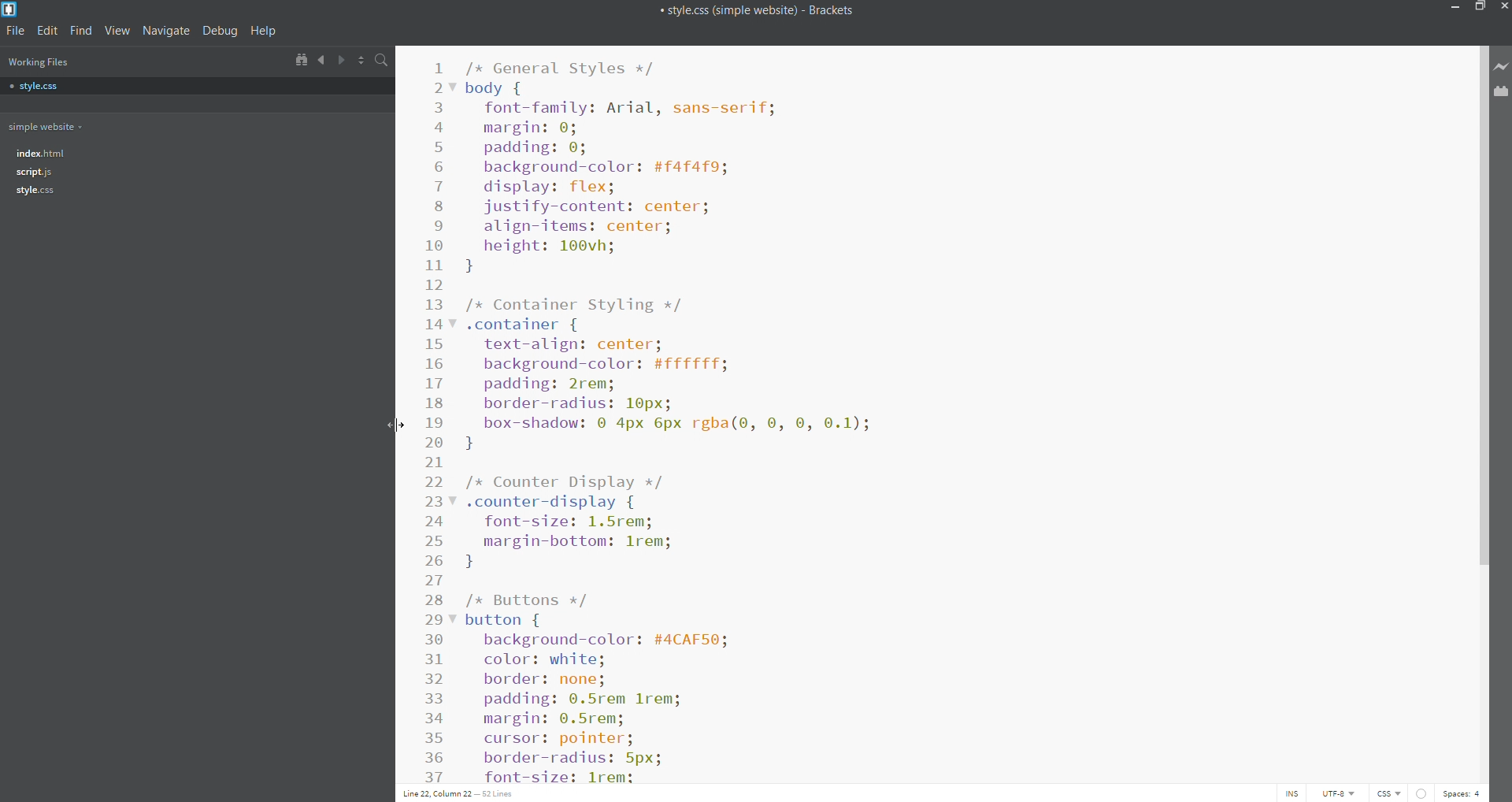 Image resolution: width=1512 pixels, height=802 pixels. What do you see at coordinates (1503, 9) in the screenshot?
I see `close` at bounding box center [1503, 9].